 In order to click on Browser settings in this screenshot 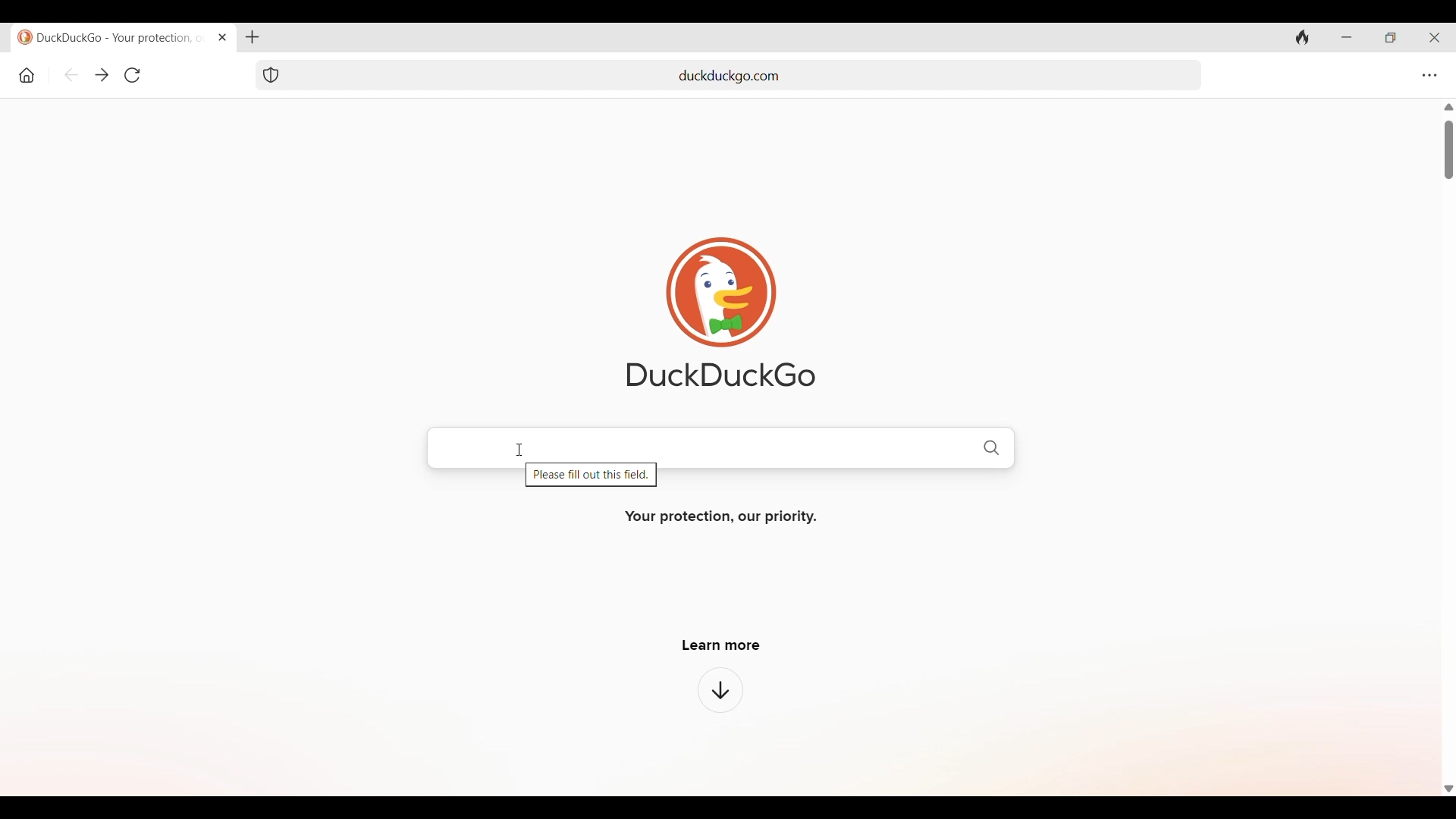, I will do `click(1429, 76)`.